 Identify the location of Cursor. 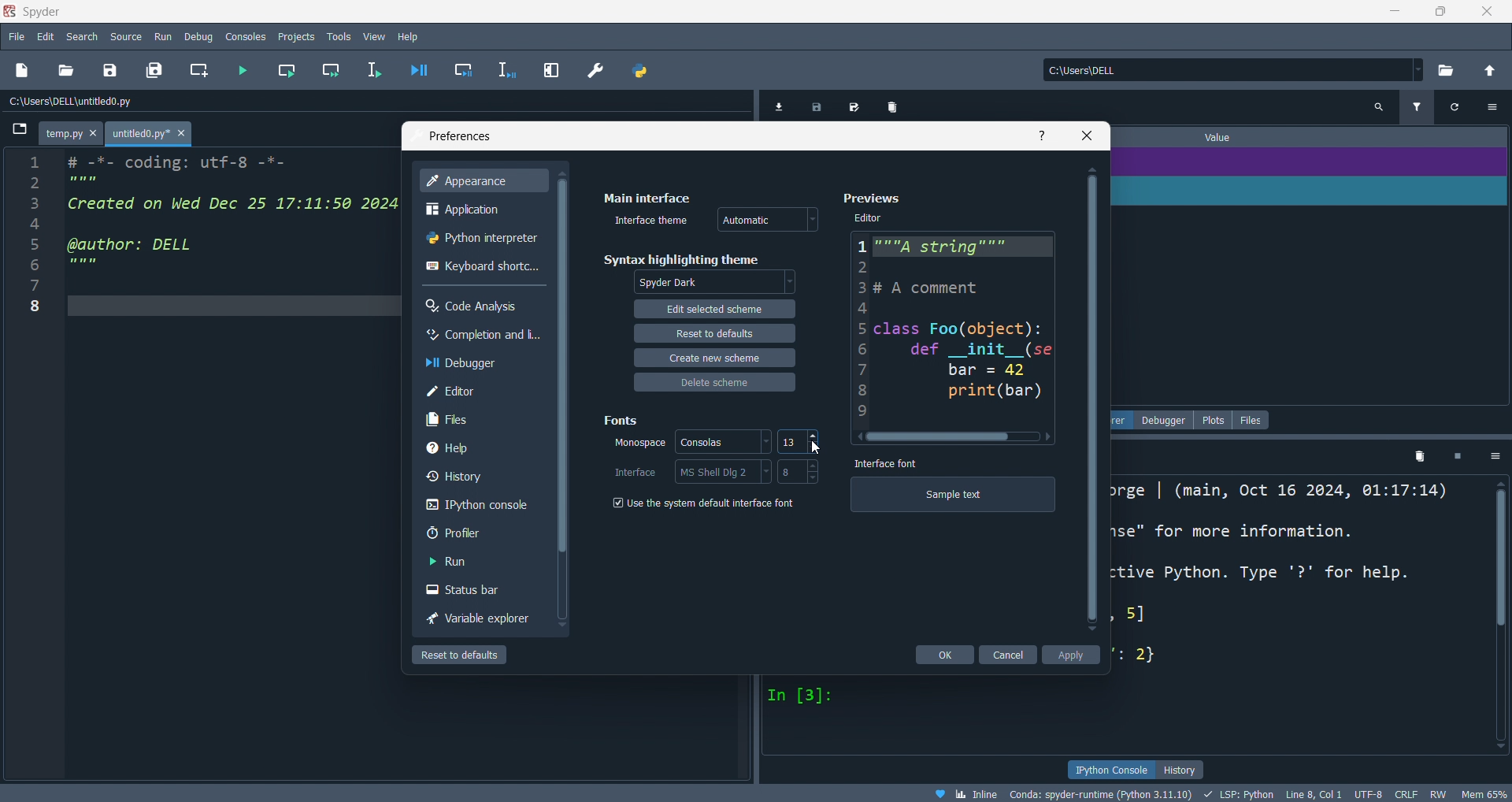
(818, 447).